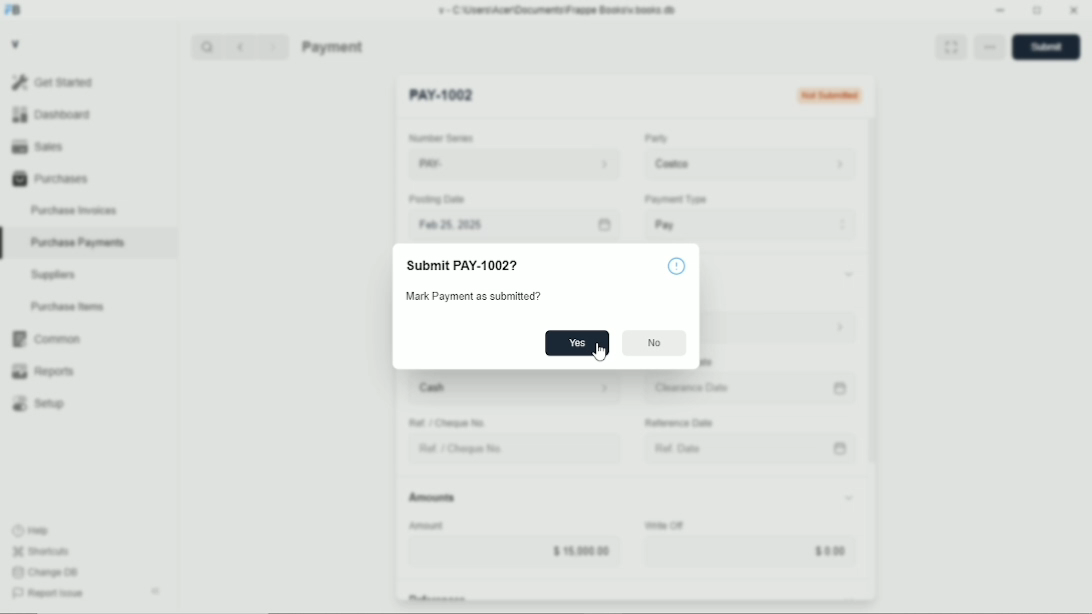 The height and width of the screenshot is (614, 1092). I want to click on Yes, so click(577, 343).